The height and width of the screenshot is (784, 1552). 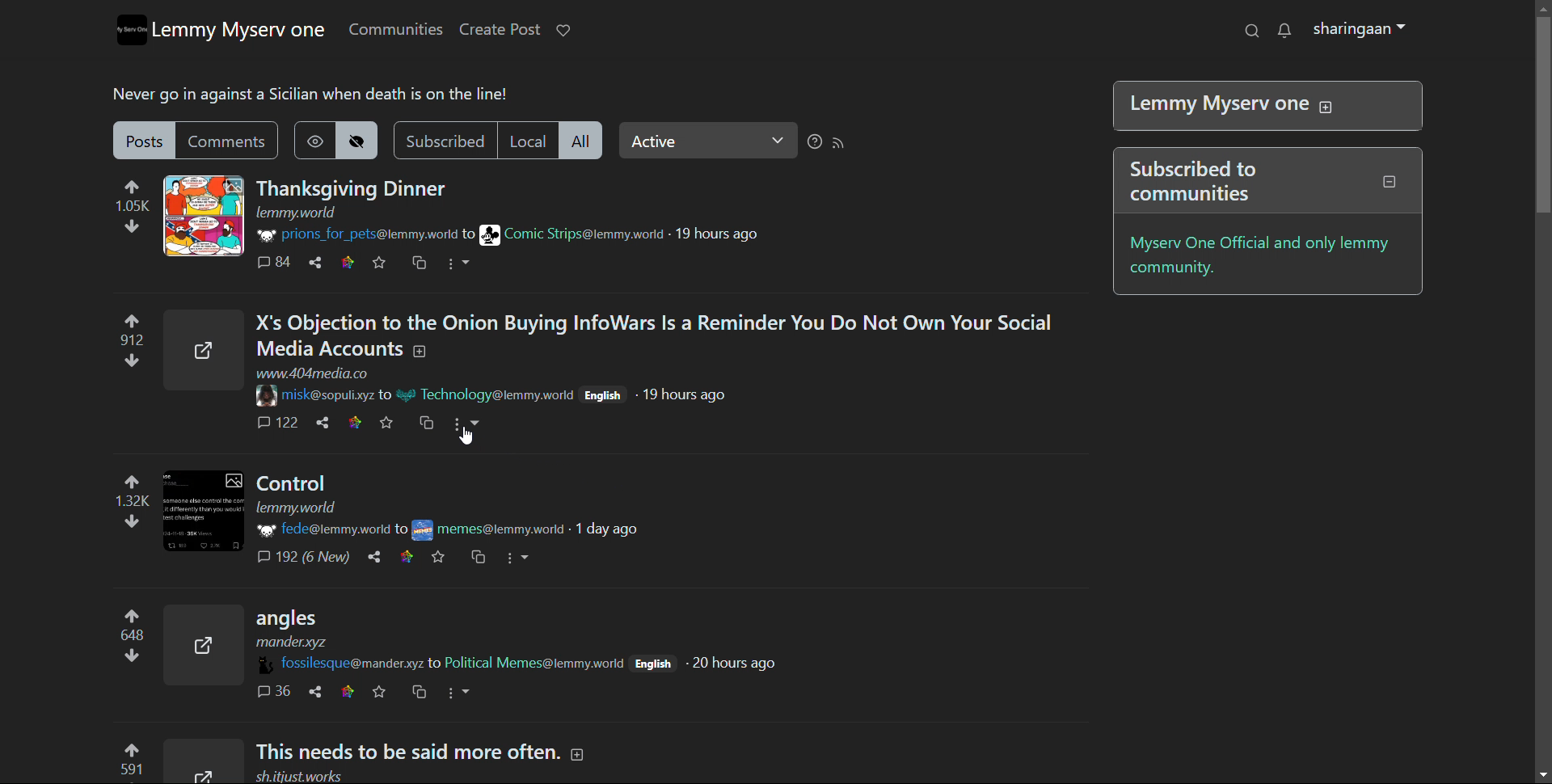 What do you see at coordinates (709, 141) in the screenshot?
I see `Active(select relevance)` at bounding box center [709, 141].